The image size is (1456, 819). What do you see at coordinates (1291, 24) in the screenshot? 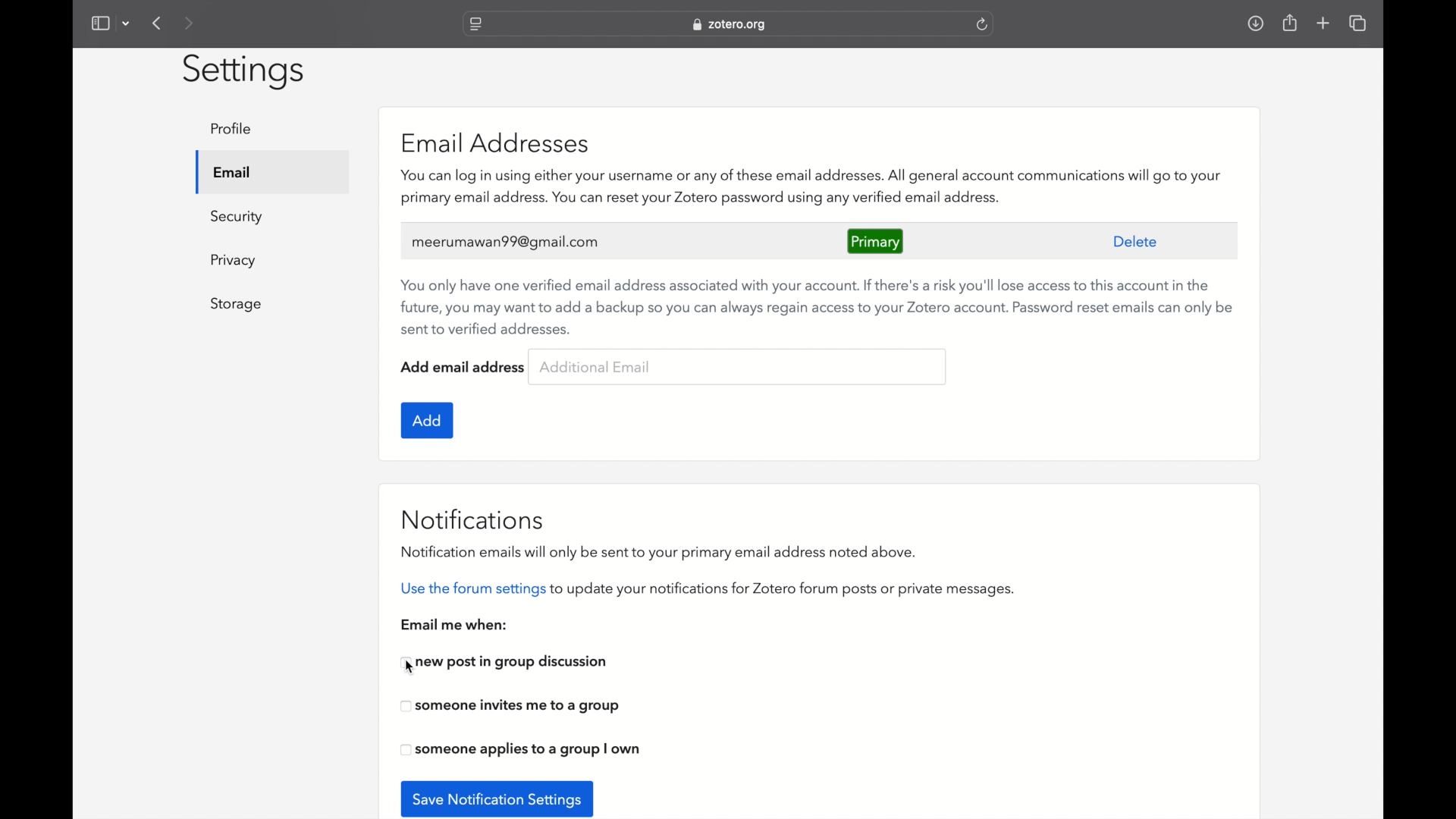
I see `share` at bounding box center [1291, 24].